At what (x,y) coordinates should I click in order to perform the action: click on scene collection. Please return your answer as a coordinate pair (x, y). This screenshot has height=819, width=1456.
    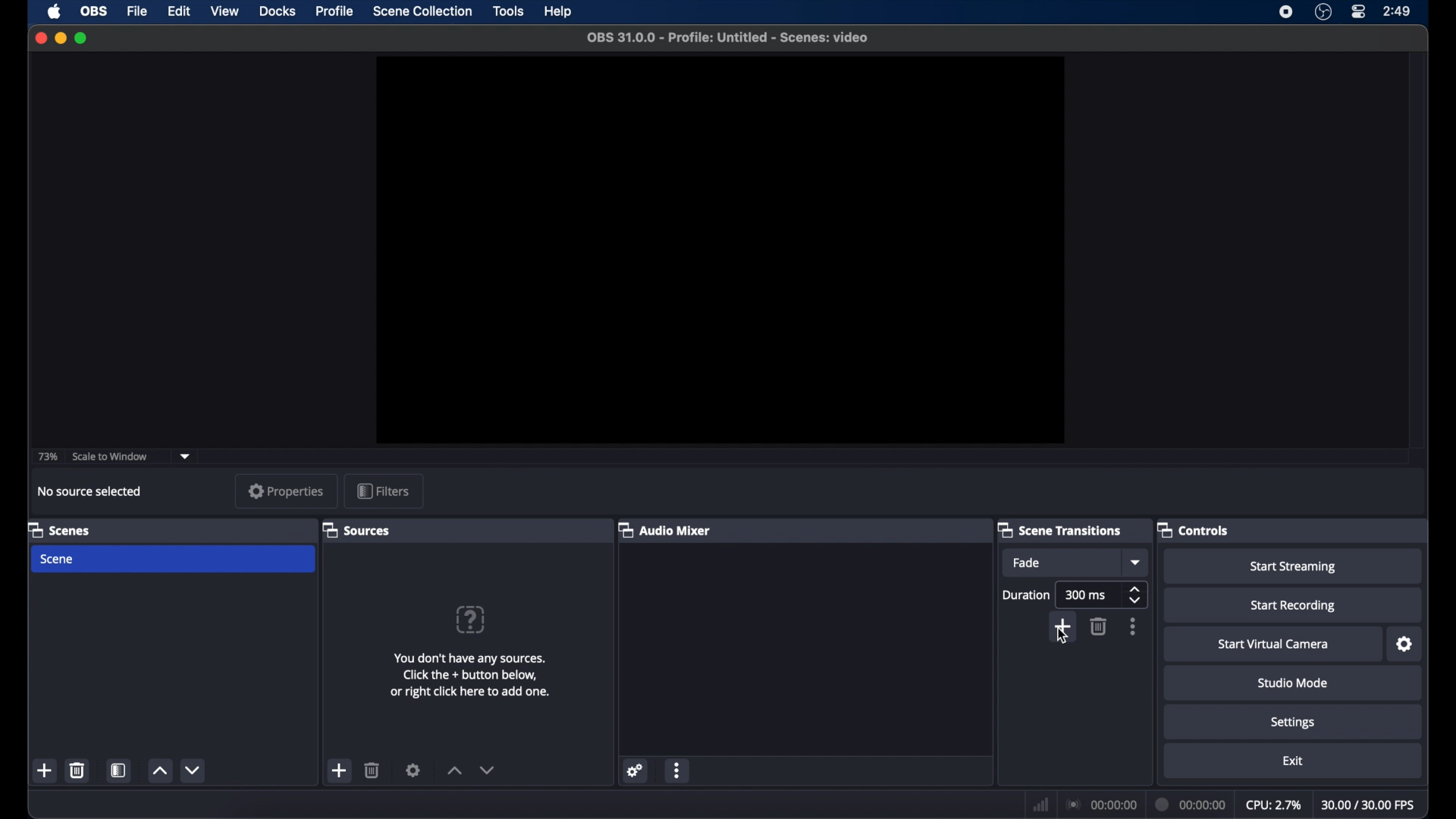
    Looking at the image, I should click on (422, 11).